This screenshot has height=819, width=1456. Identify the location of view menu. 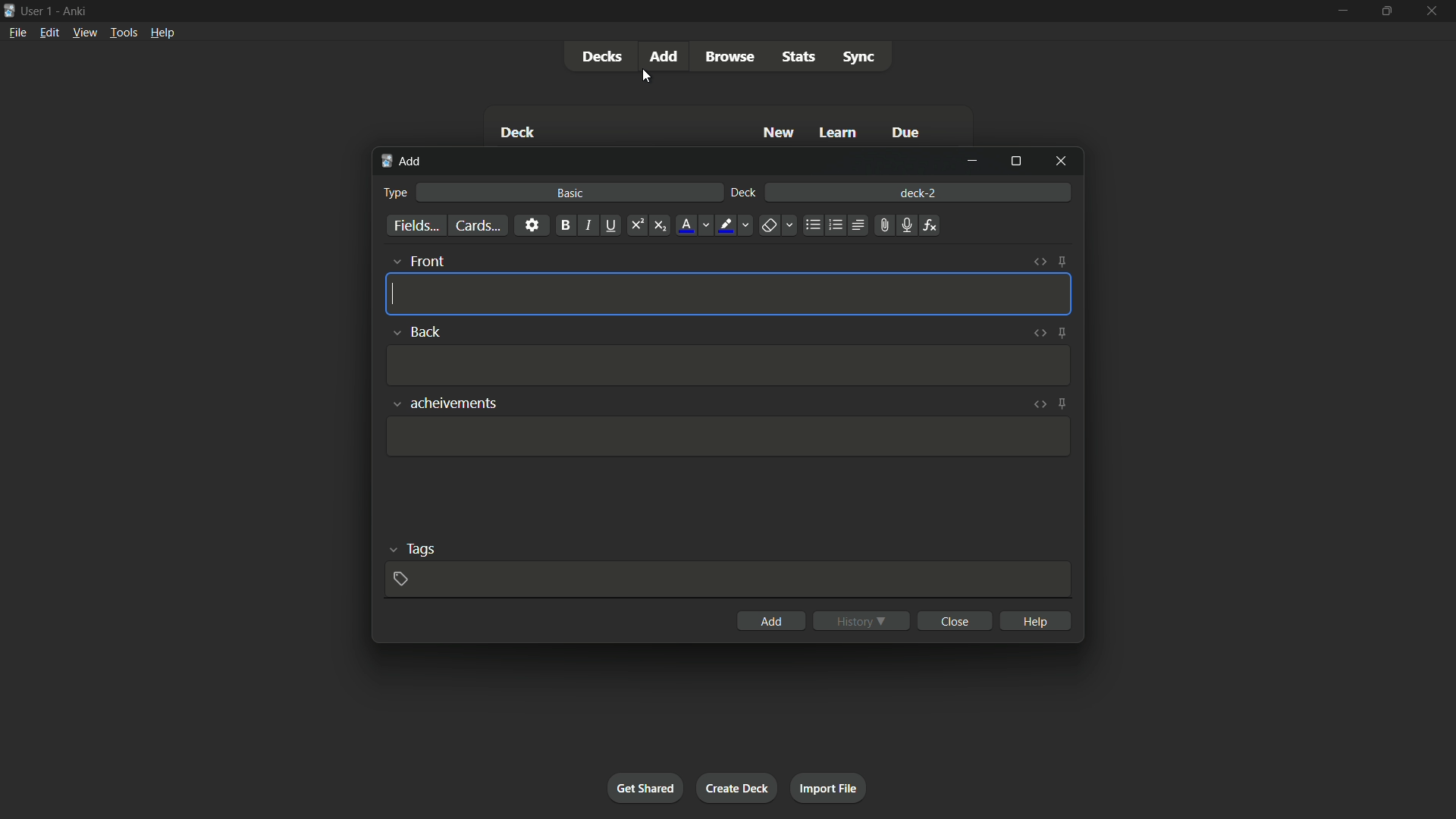
(85, 33).